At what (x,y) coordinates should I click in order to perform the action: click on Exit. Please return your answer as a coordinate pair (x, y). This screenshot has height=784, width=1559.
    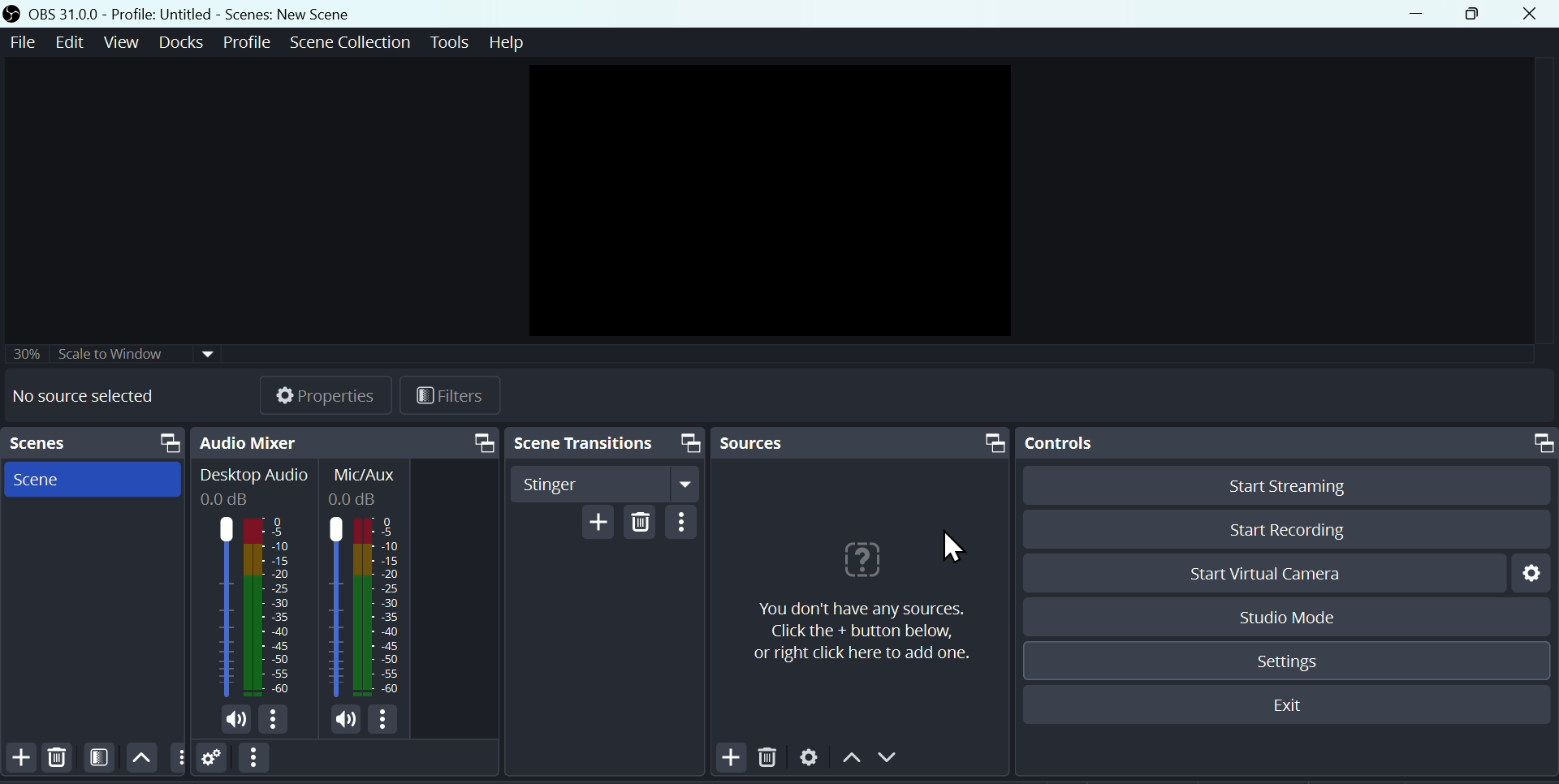
    Looking at the image, I should click on (1286, 705).